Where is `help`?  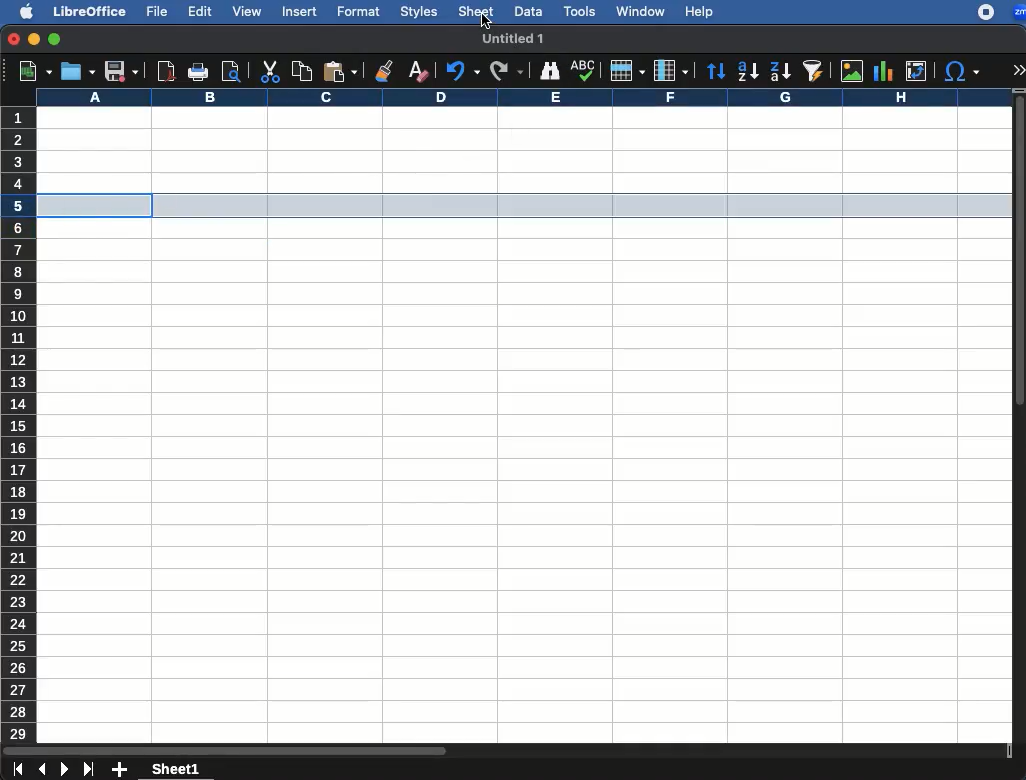 help is located at coordinates (698, 12).